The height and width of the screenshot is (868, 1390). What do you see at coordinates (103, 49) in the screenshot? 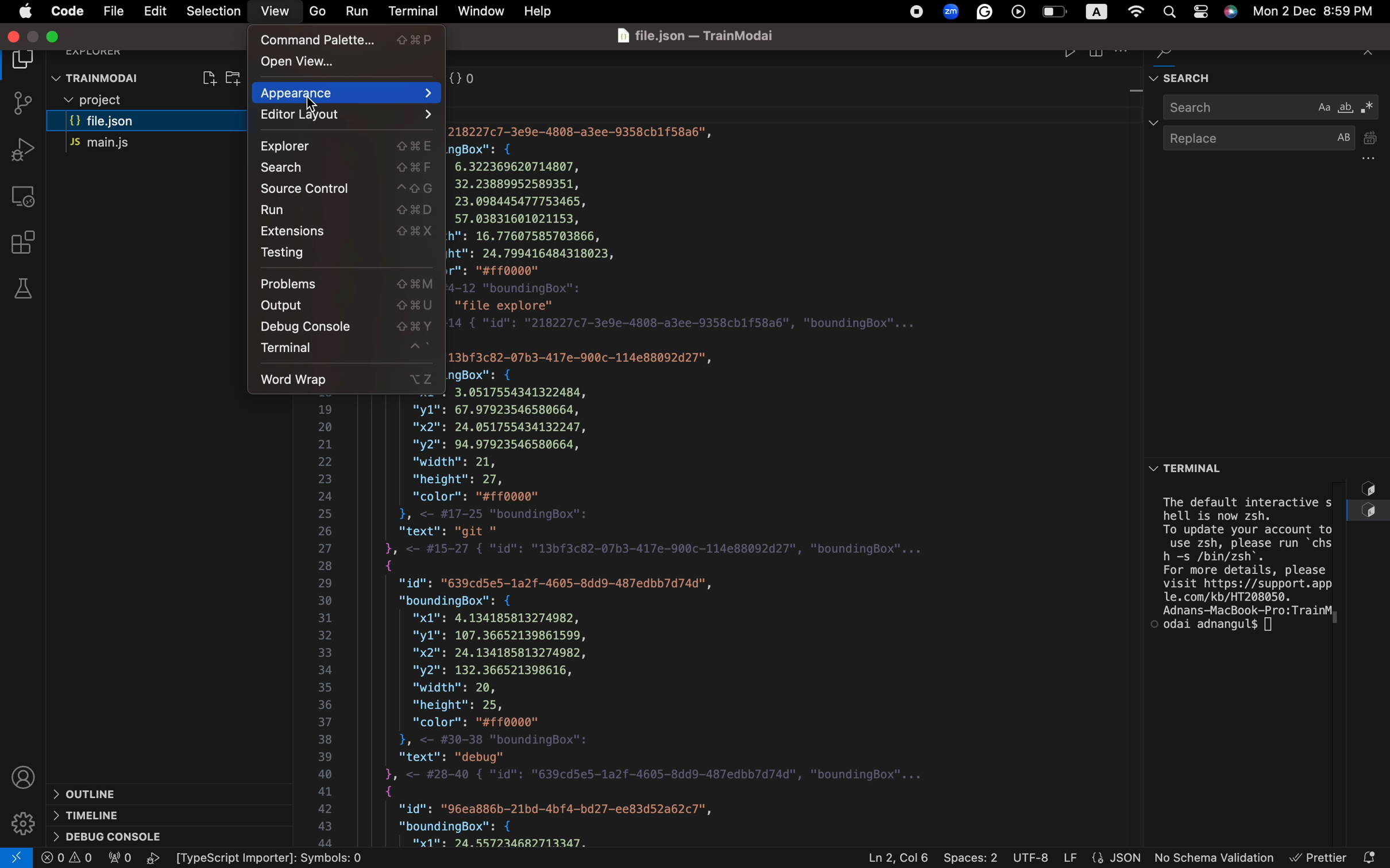
I see `explorer` at bounding box center [103, 49].